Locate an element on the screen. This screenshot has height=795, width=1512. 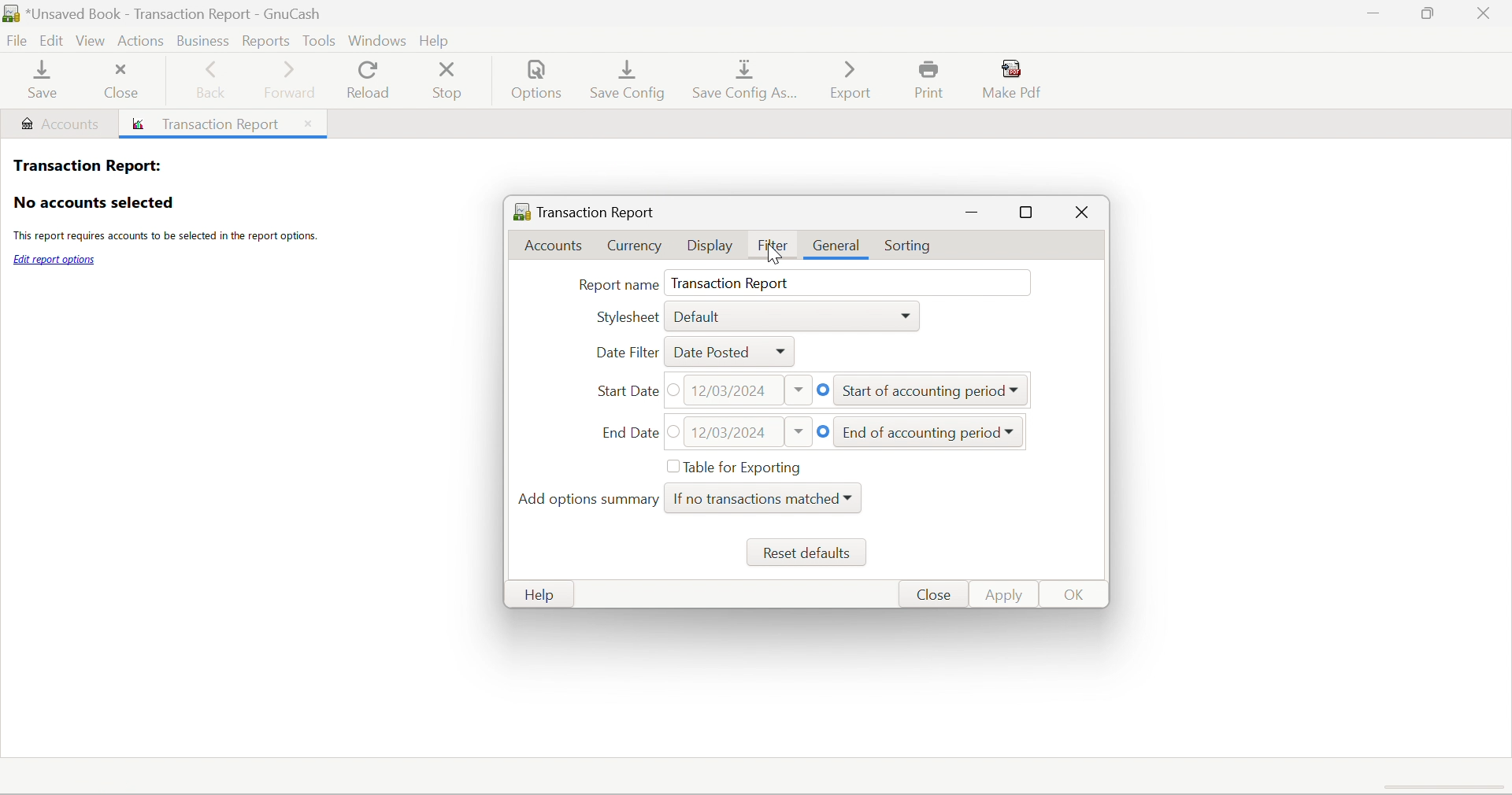
Reload is located at coordinates (367, 80).